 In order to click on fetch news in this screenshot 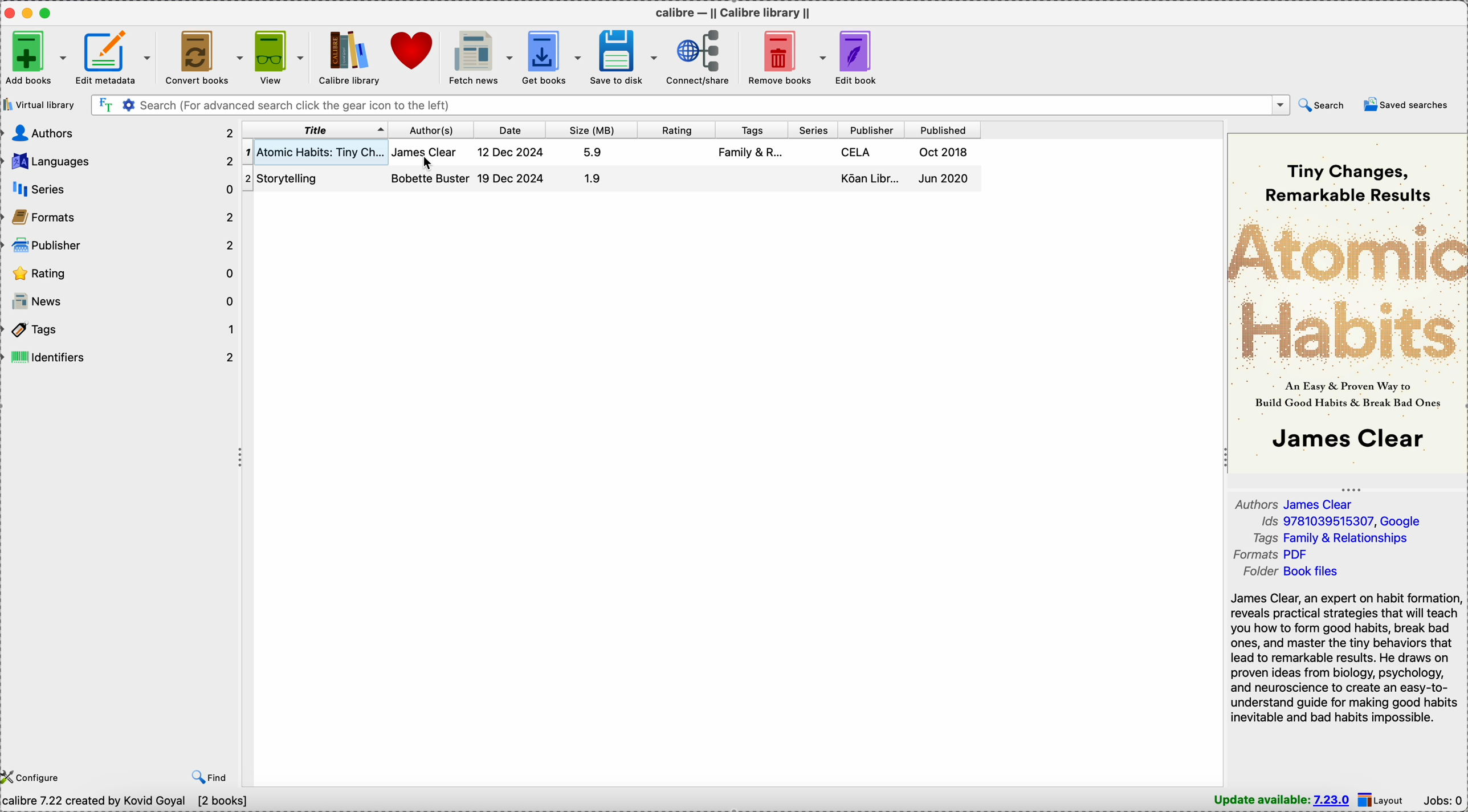, I will do `click(478, 56)`.